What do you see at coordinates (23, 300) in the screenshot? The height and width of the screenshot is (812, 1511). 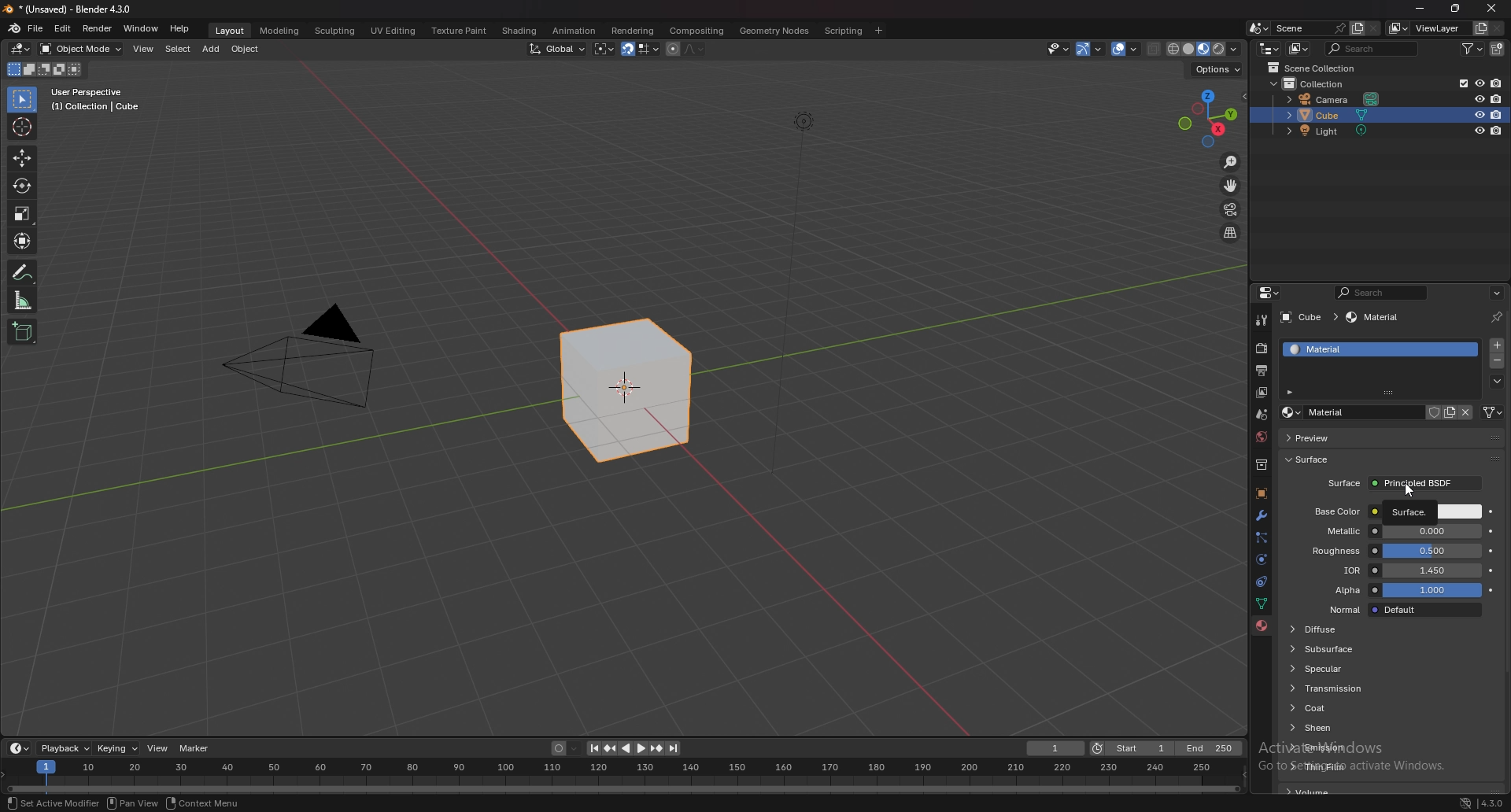 I see `measure` at bounding box center [23, 300].